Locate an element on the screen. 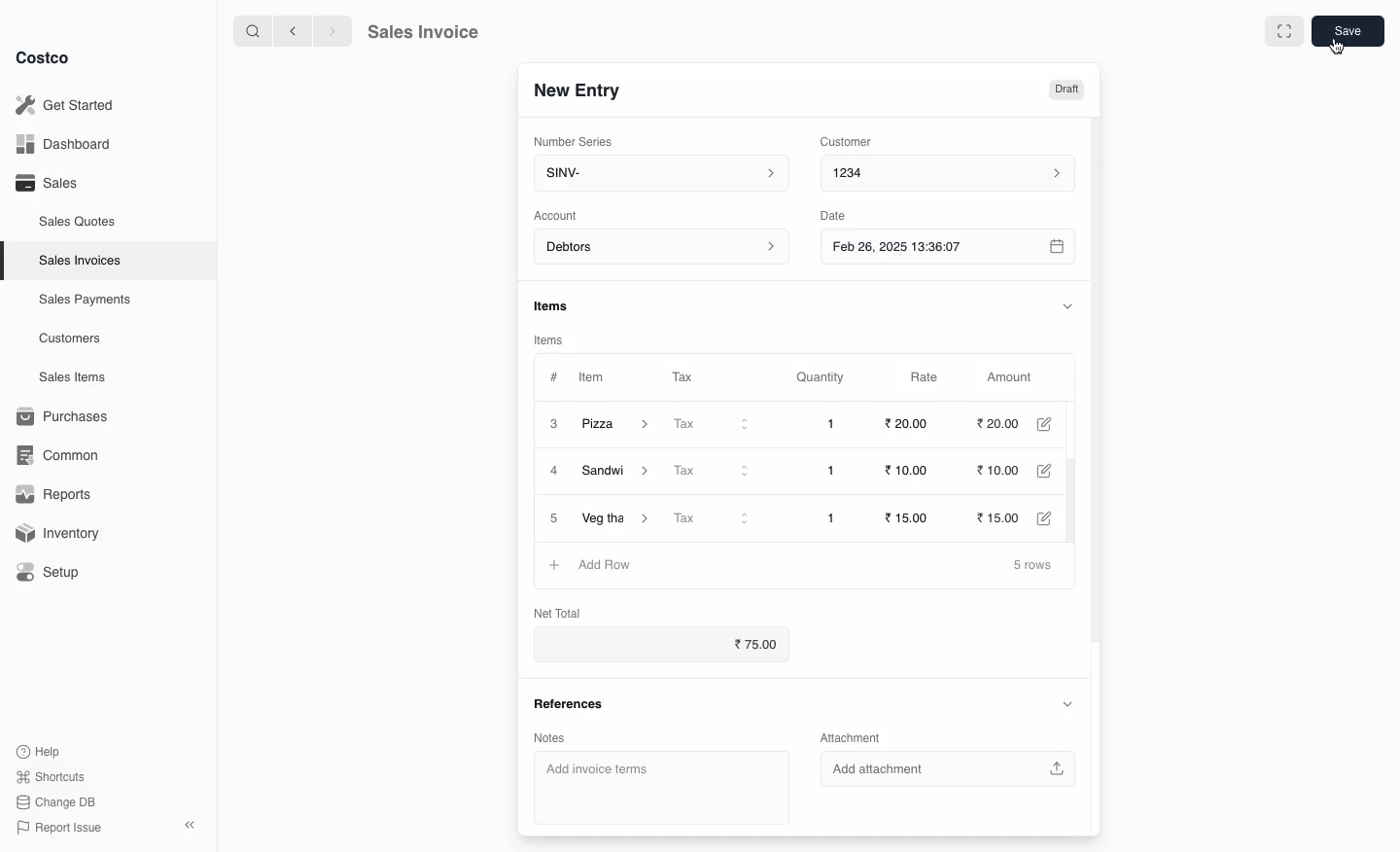 The image size is (1400, 852). Purchases is located at coordinates (67, 416).